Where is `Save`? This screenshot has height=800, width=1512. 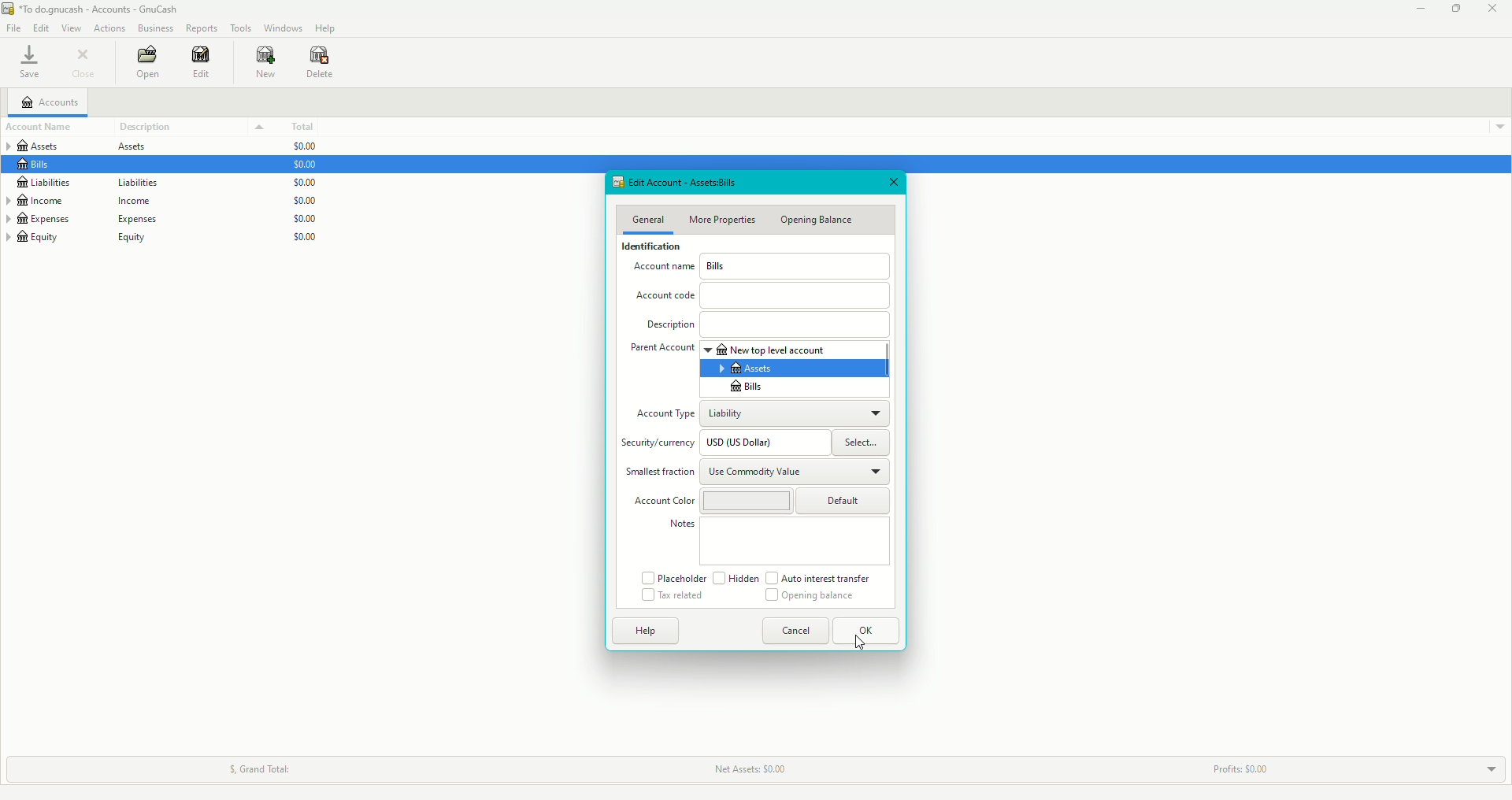 Save is located at coordinates (28, 65).